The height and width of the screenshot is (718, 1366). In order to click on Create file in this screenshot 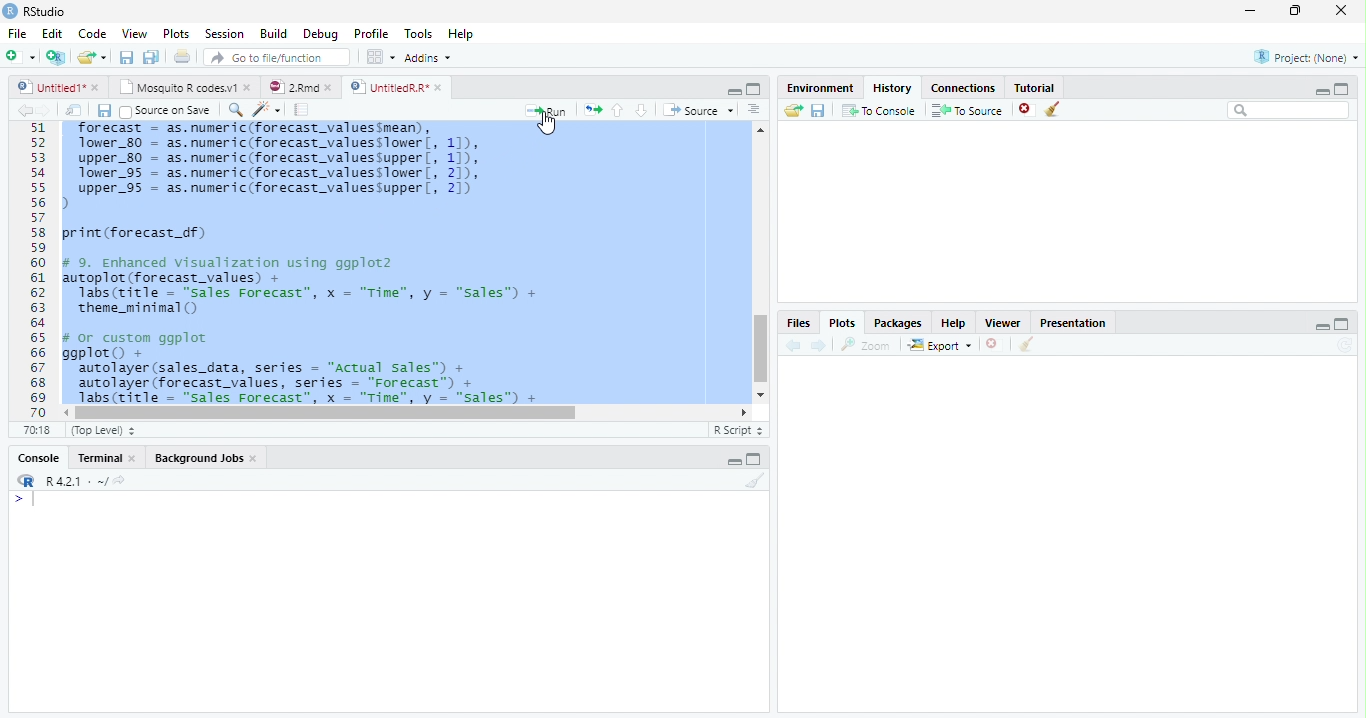, I will do `click(21, 58)`.